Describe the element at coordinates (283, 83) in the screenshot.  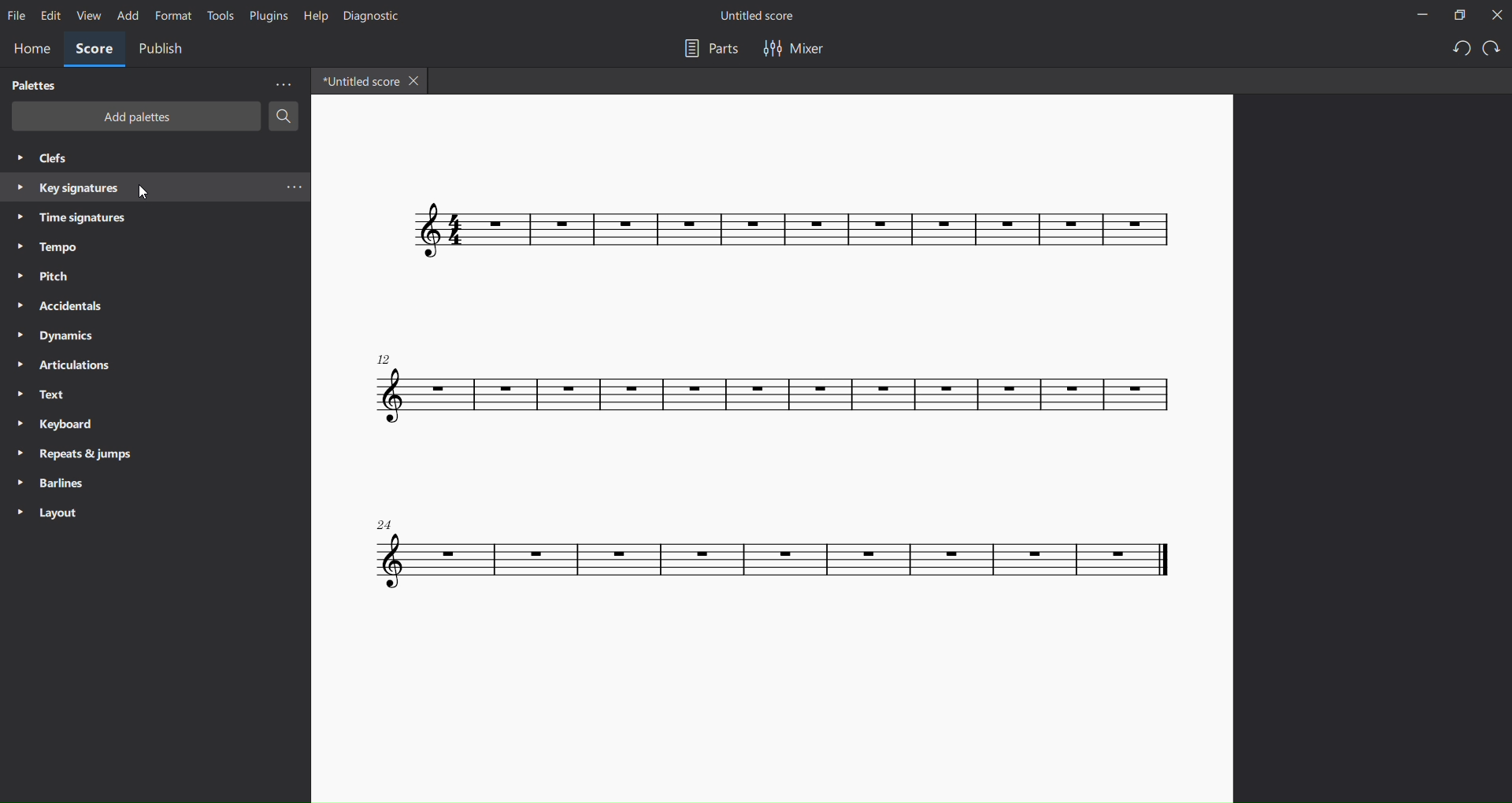
I see `more` at that location.